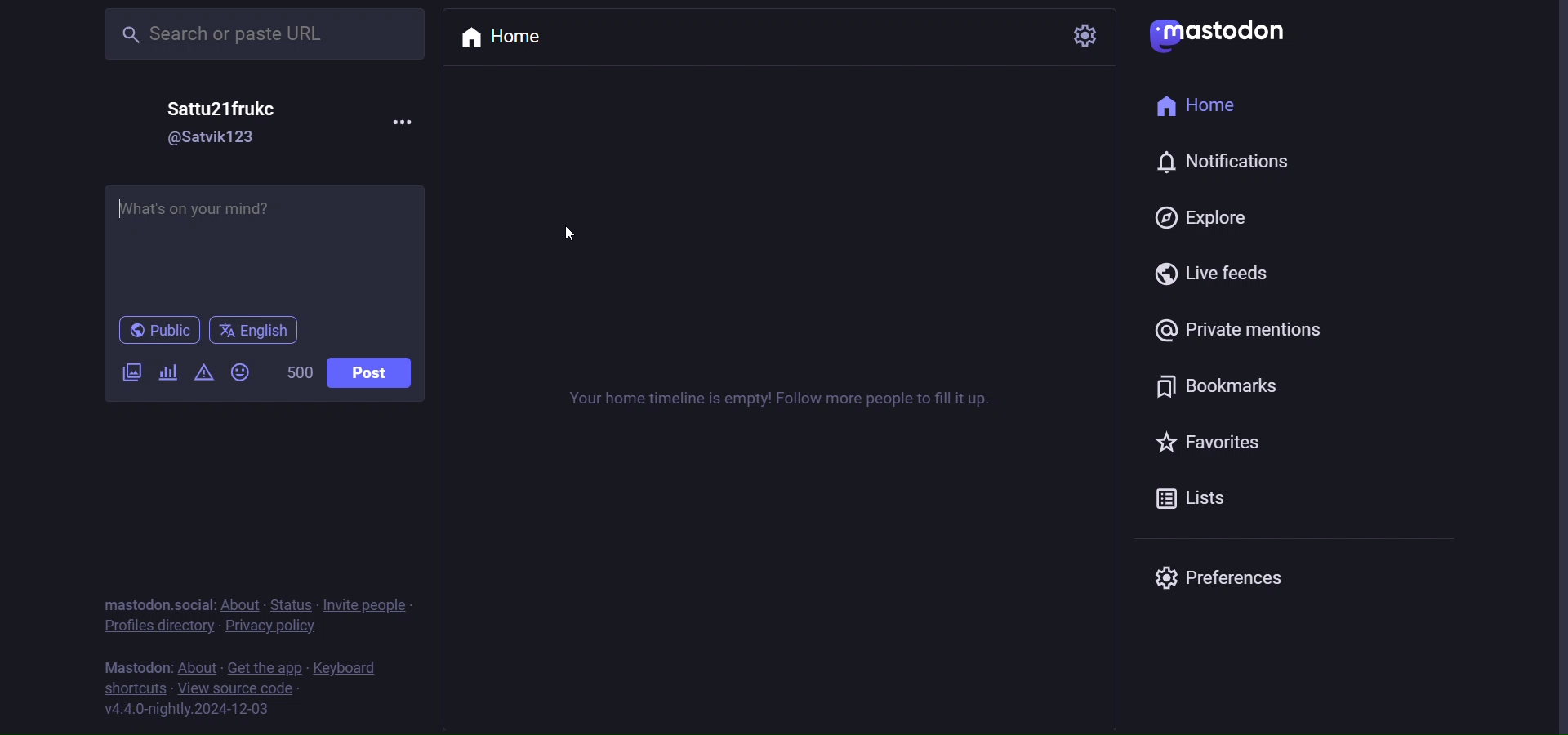  Describe the element at coordinates (571, 234) in the screenshot. I see `Cursor` at that location.